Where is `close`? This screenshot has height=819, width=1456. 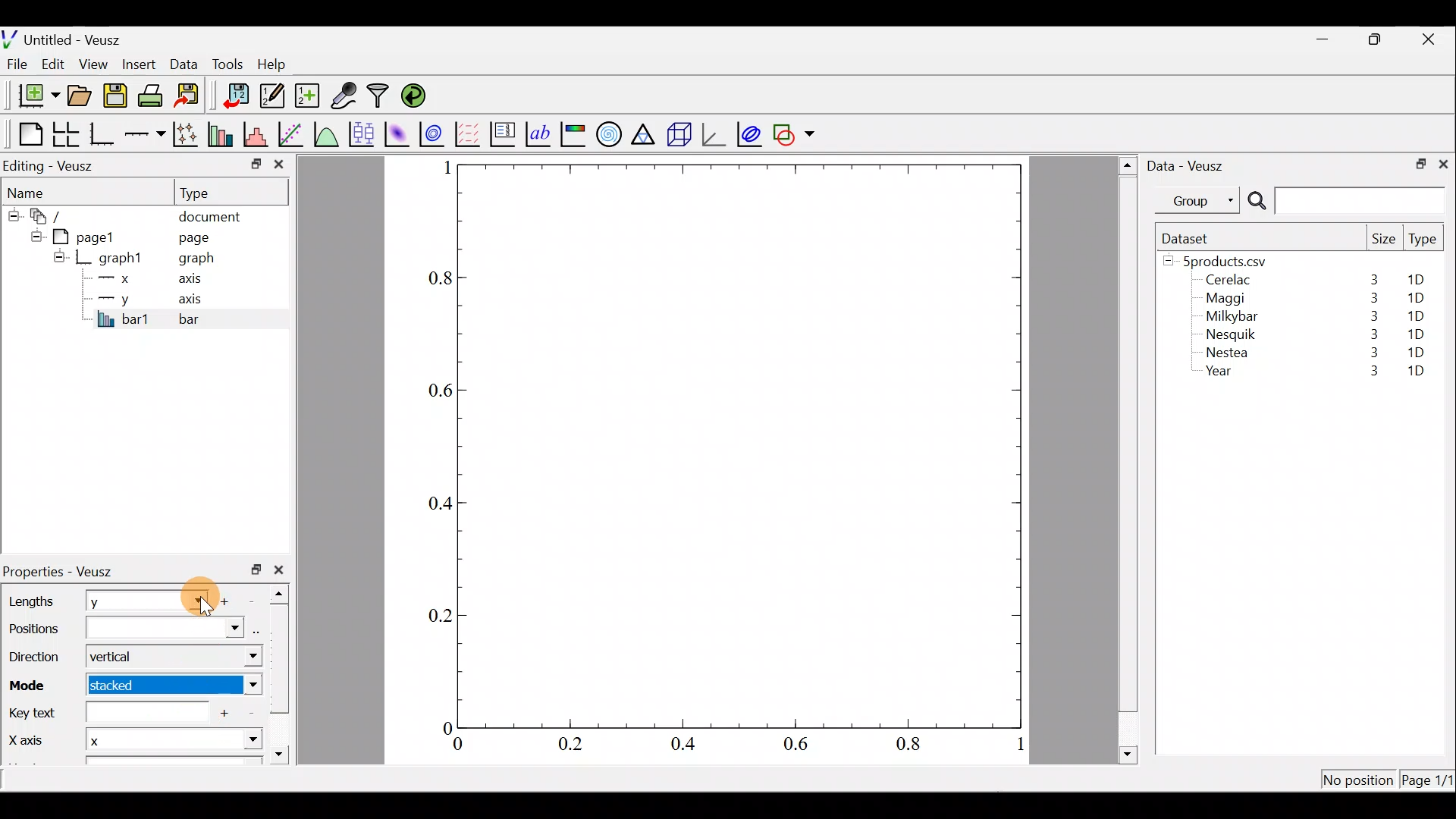 close is located at coordinates (1430, 39).